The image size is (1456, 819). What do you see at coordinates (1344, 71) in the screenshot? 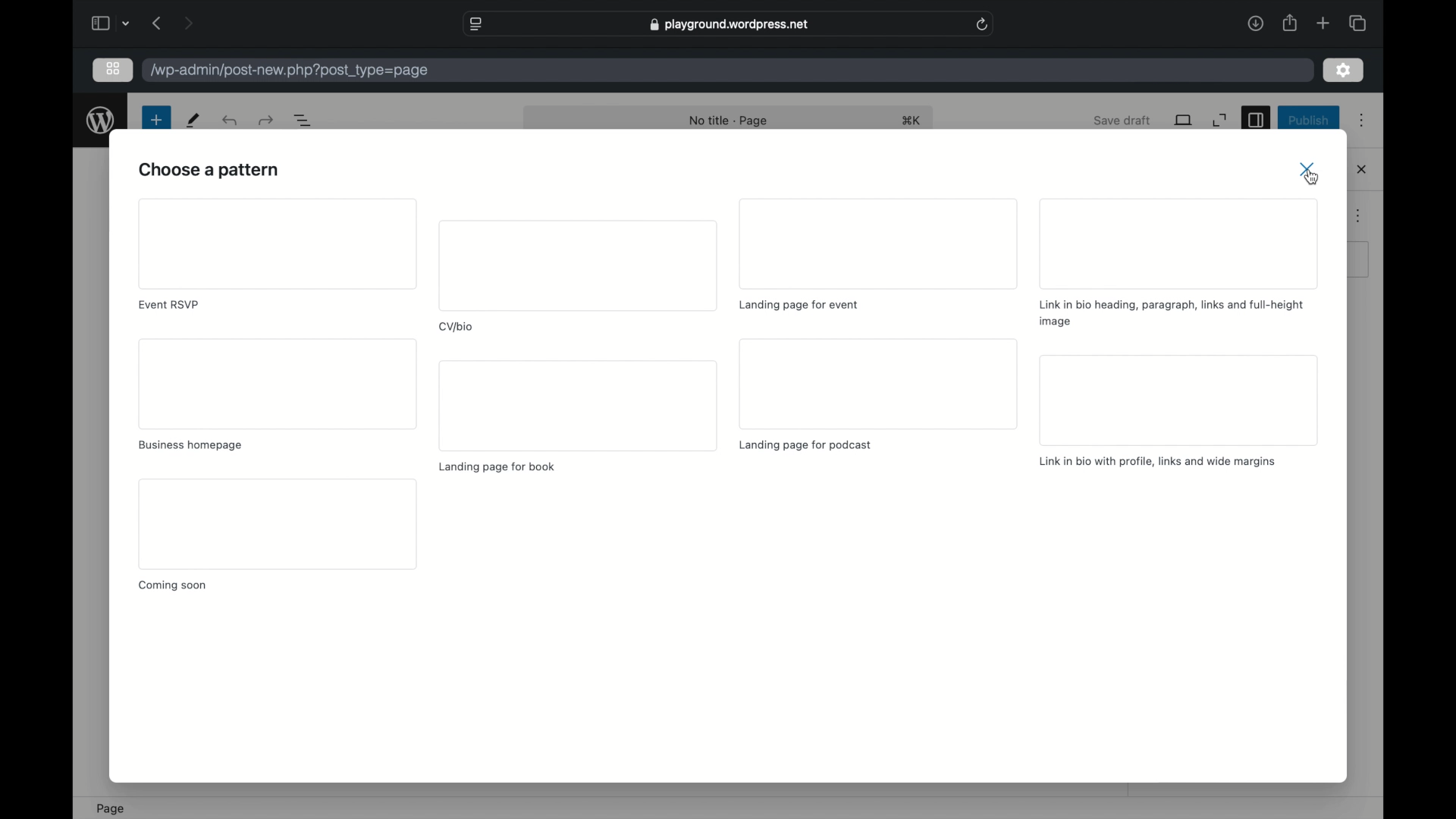
I see `settings` at bounding box center [1344, 71].